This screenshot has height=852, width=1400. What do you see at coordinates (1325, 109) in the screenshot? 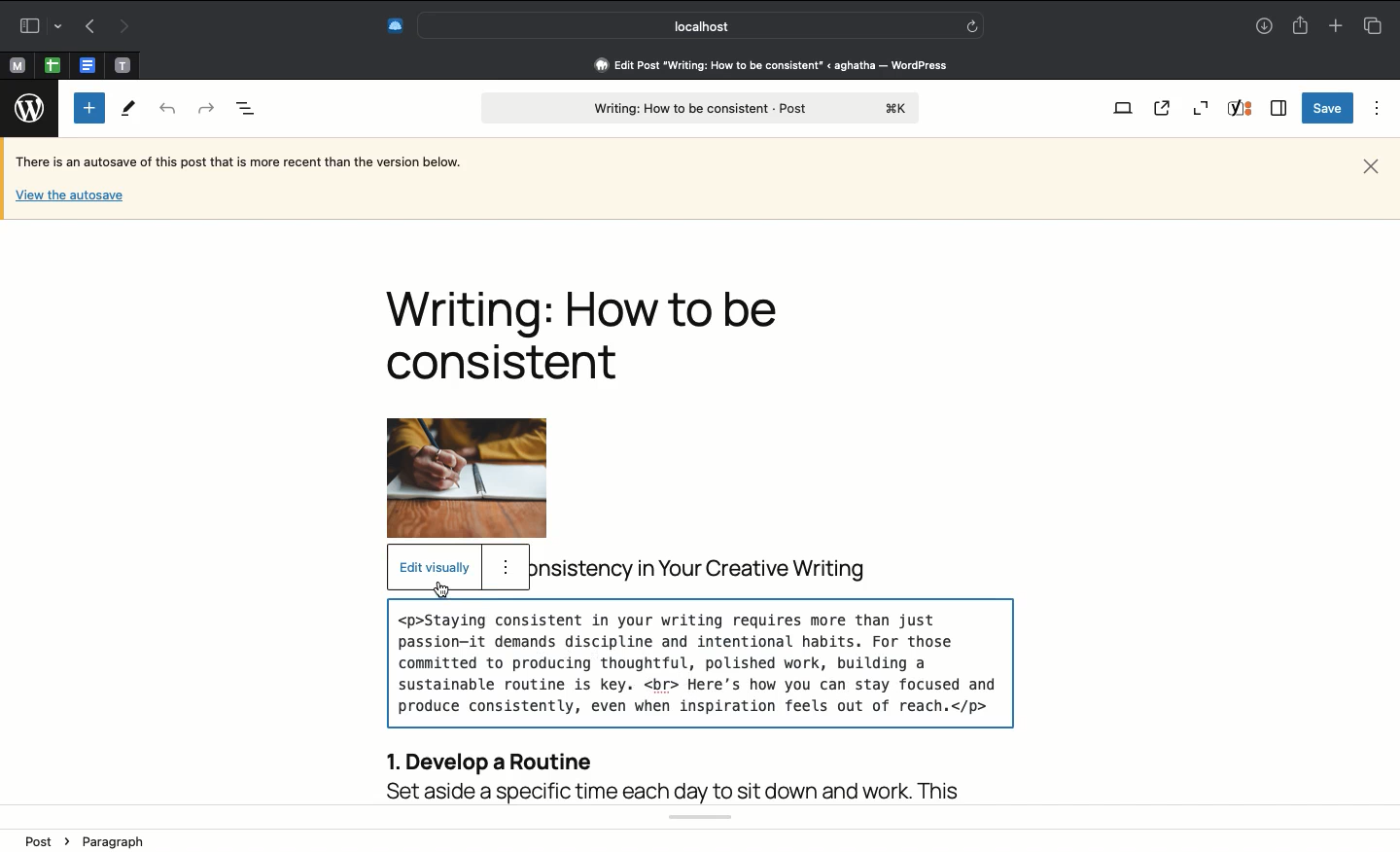
I see `Save` at bounding box center [1325, 109].